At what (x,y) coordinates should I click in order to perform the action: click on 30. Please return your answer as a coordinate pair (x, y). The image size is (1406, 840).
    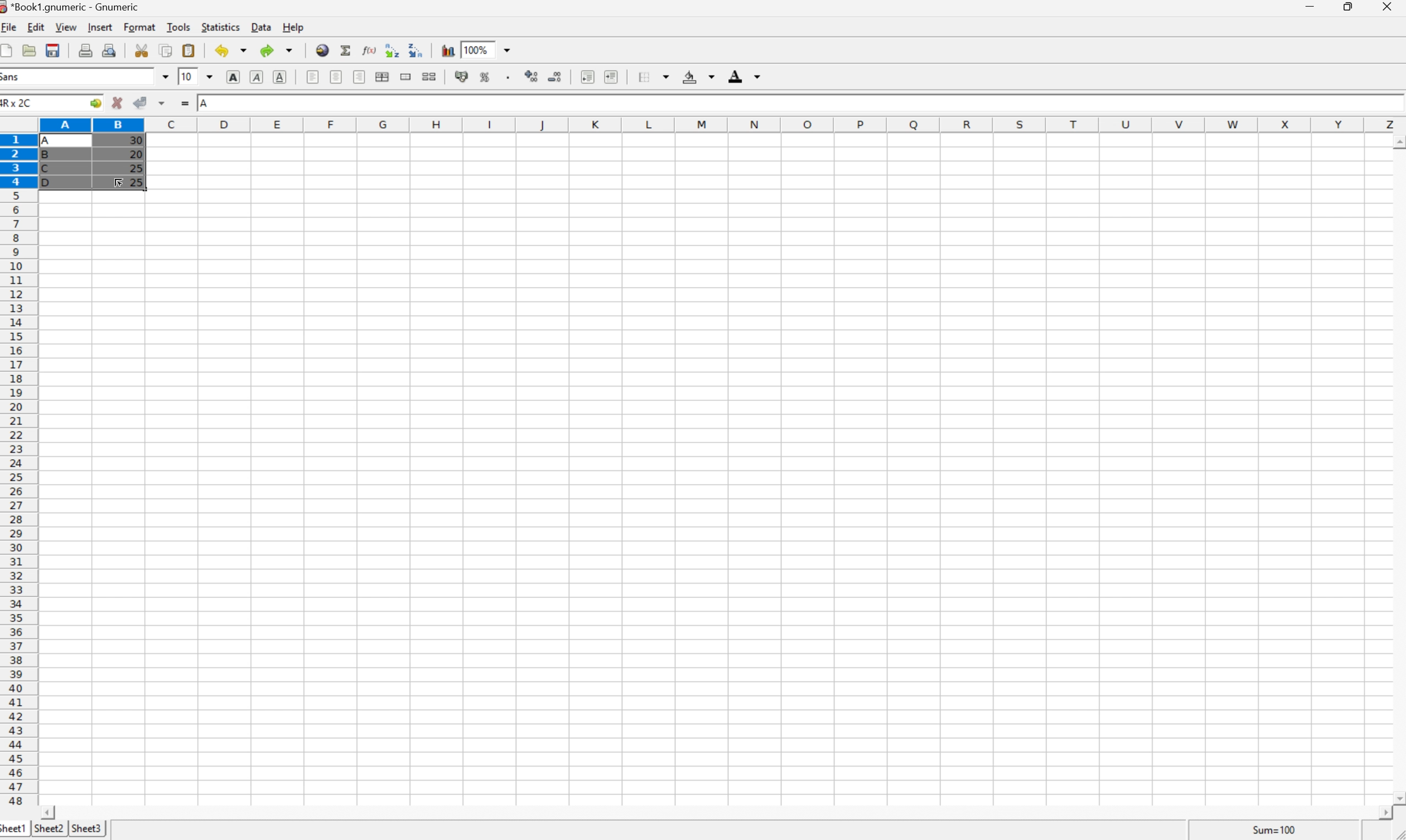
    Looking at the image, I should click on (135, 142).